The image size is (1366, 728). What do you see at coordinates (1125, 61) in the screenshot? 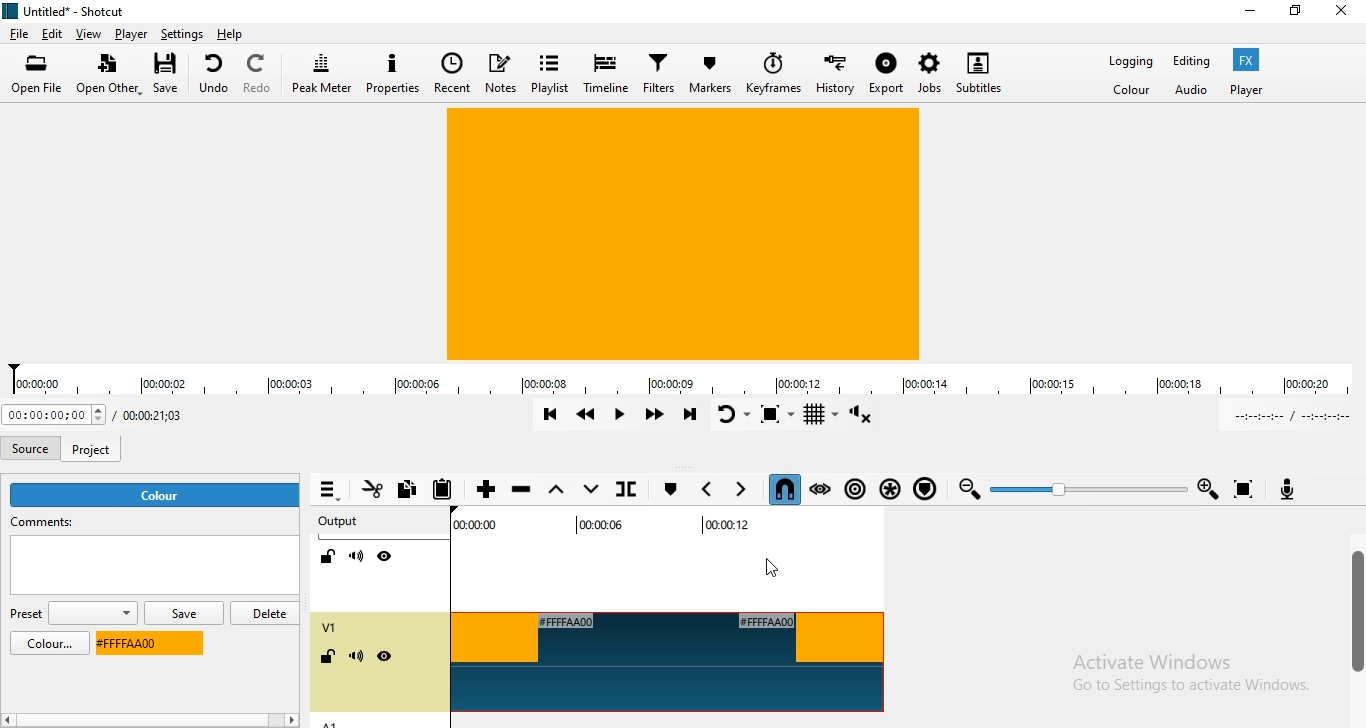
I see `Logging` at bounding box center [1125, 61].